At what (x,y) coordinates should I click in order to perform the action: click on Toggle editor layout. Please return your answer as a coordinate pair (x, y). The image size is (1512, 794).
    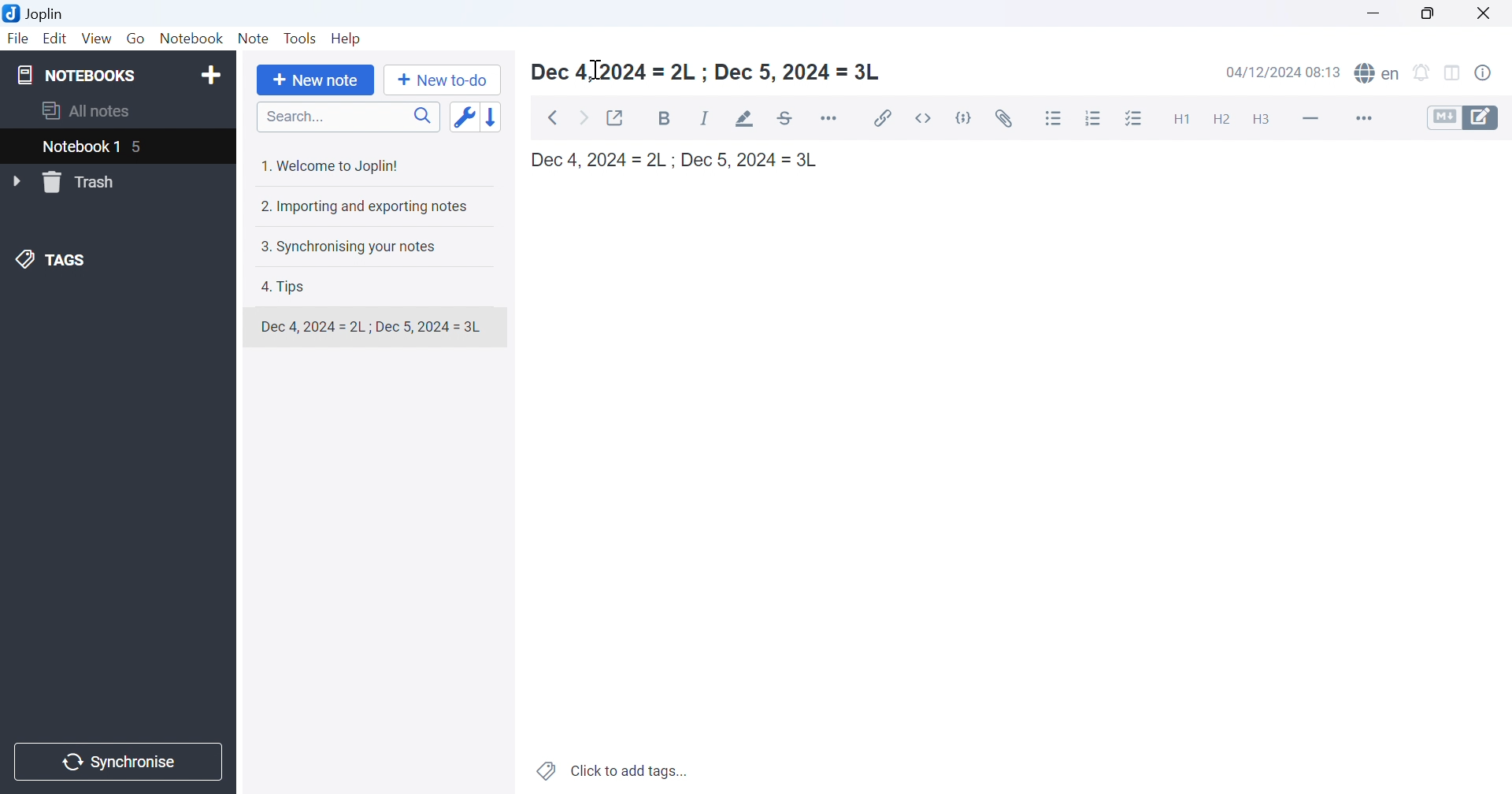
    Looking at the image, I should click on (1457, 72).